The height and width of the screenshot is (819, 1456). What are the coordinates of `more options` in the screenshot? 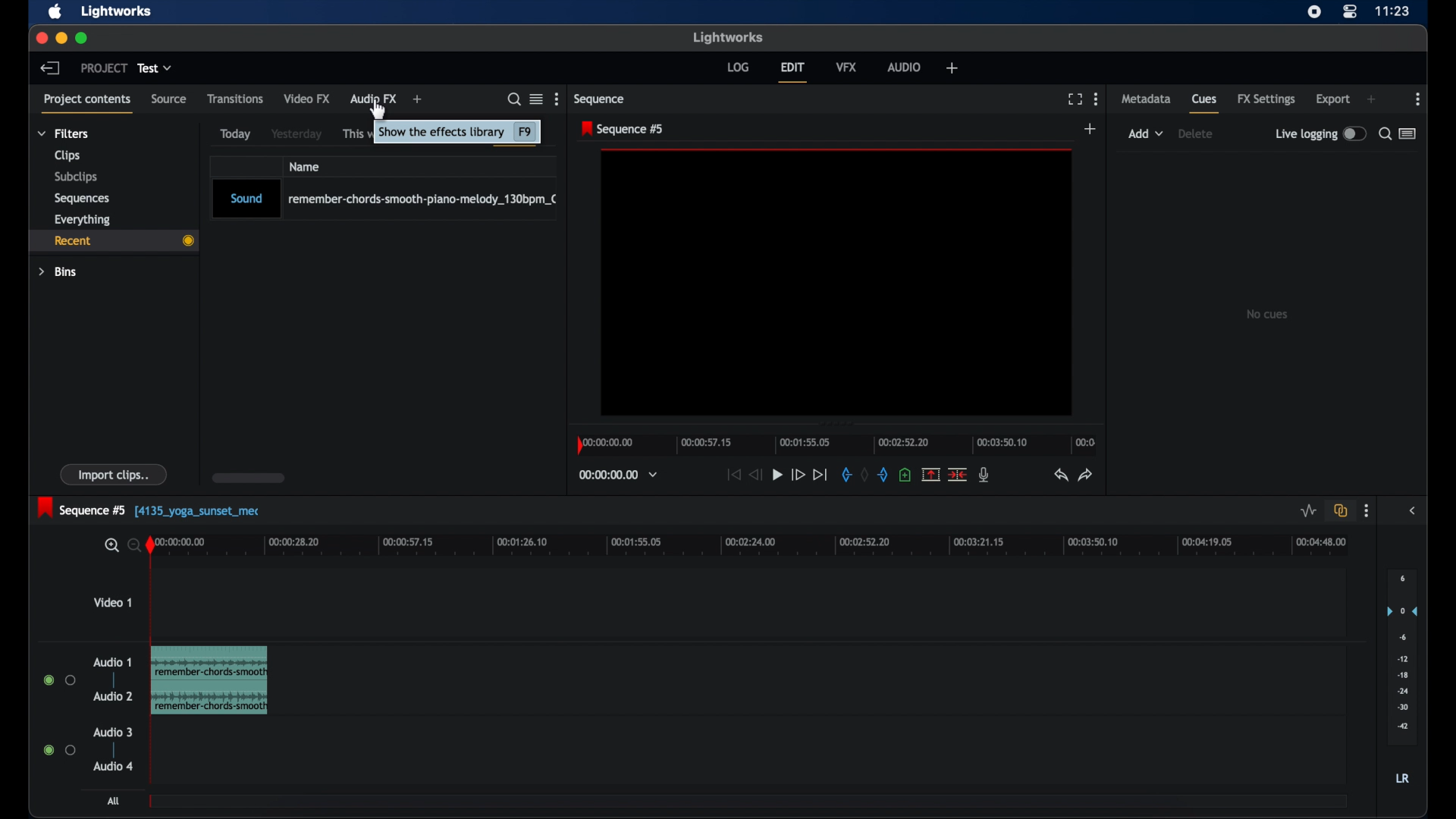 It's located at (1418, 99).